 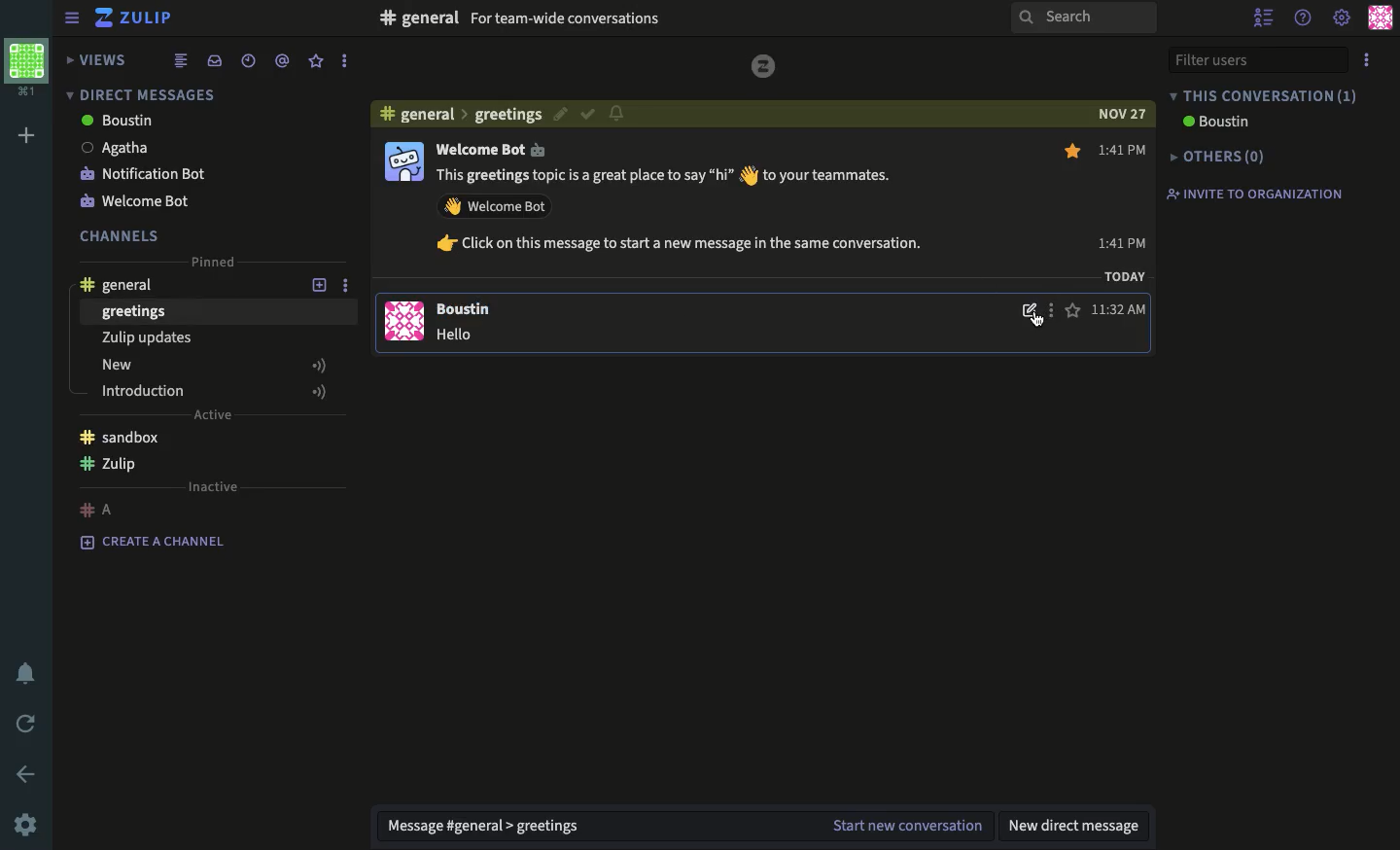 What do you see at coordinates (115, 467) in the screenshot?
I see `zulip` at bounding box center [115, 467].